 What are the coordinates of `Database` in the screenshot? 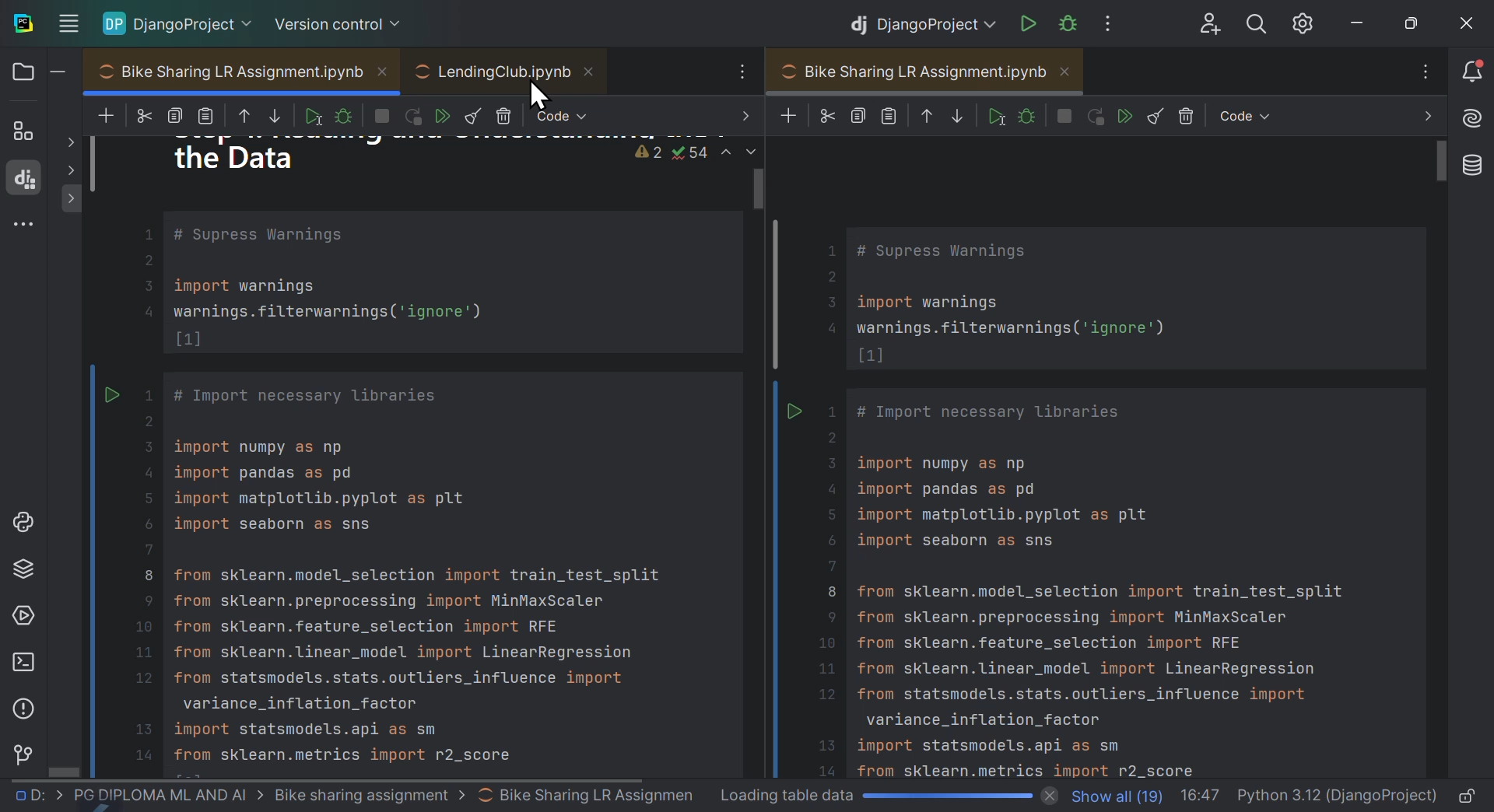 It's located at (1475, 170).